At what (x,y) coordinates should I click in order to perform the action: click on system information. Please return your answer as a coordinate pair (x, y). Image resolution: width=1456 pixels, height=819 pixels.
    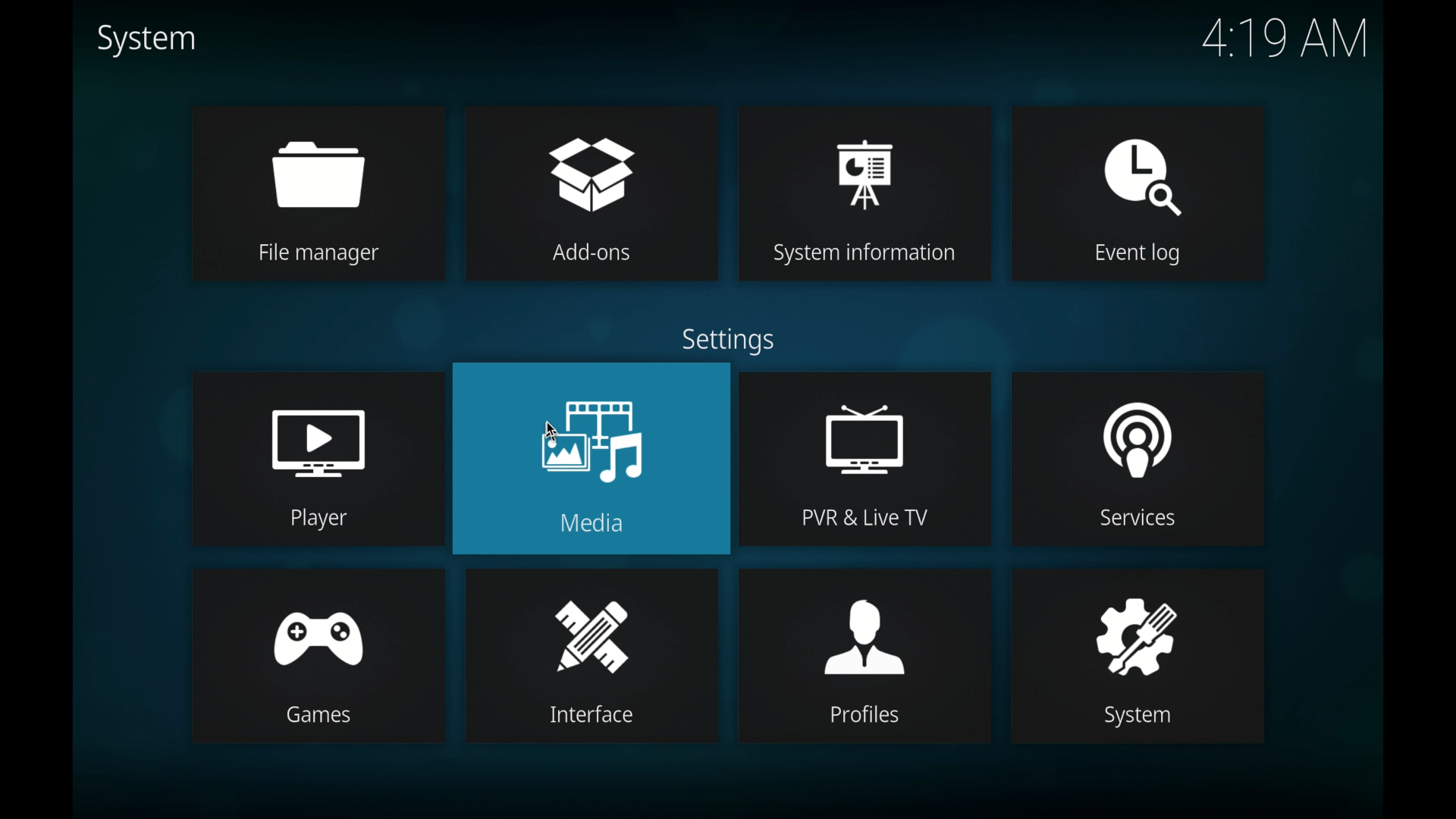
    Looking at the image, I should click on (864, 194).